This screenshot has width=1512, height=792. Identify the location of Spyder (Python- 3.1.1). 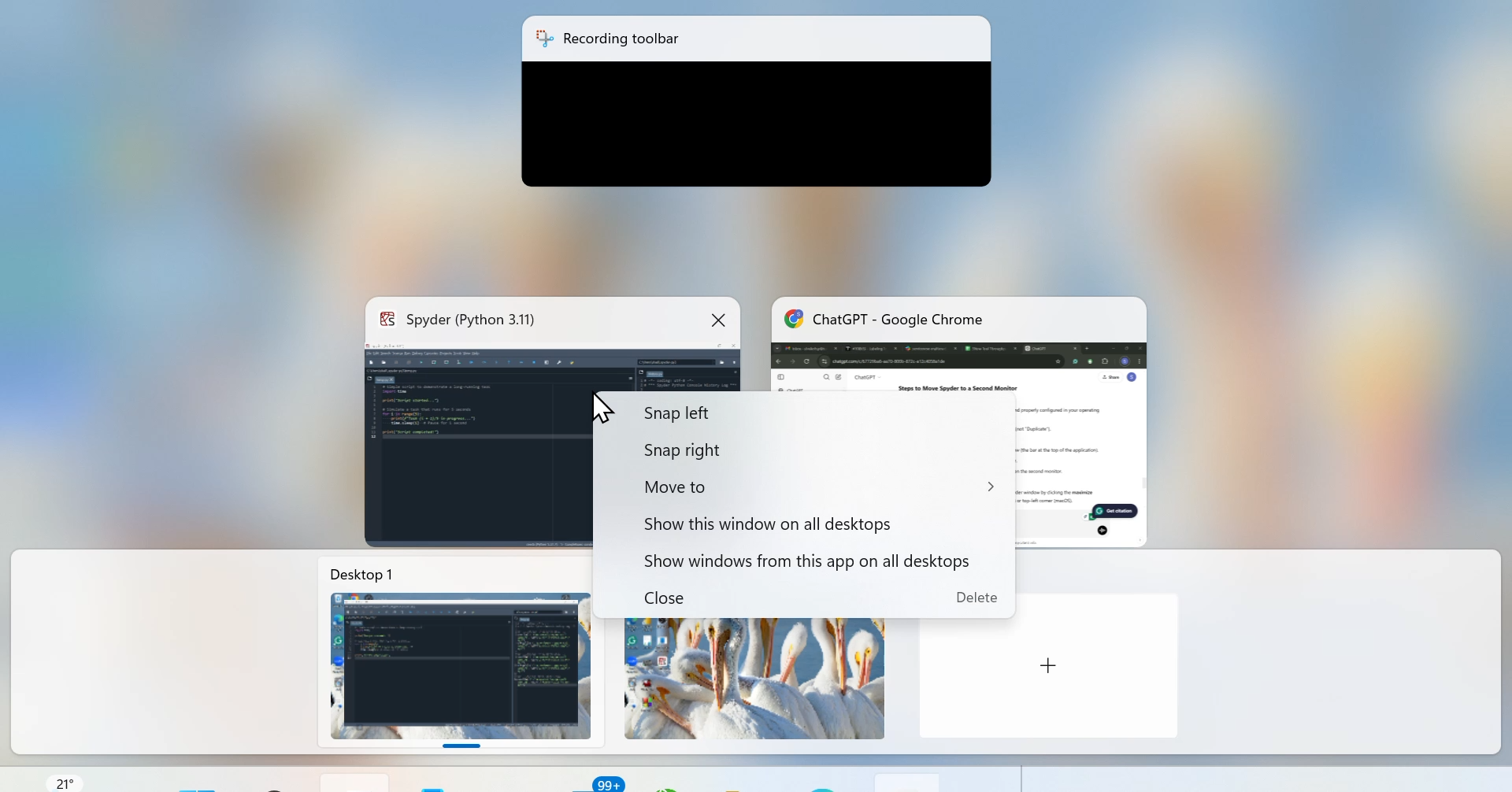
(552, 323).